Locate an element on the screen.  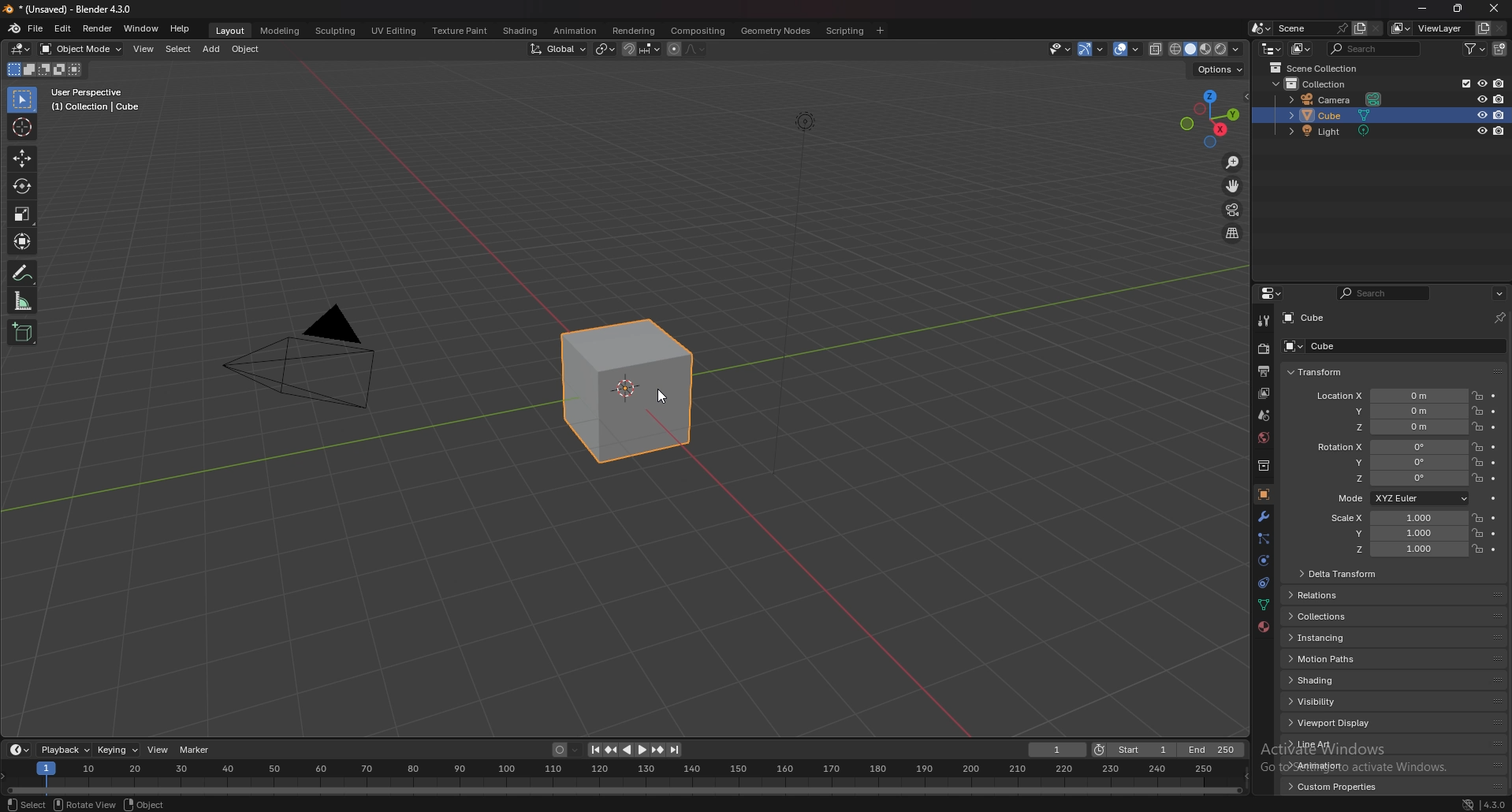
select is located at coordinates (27, 804).